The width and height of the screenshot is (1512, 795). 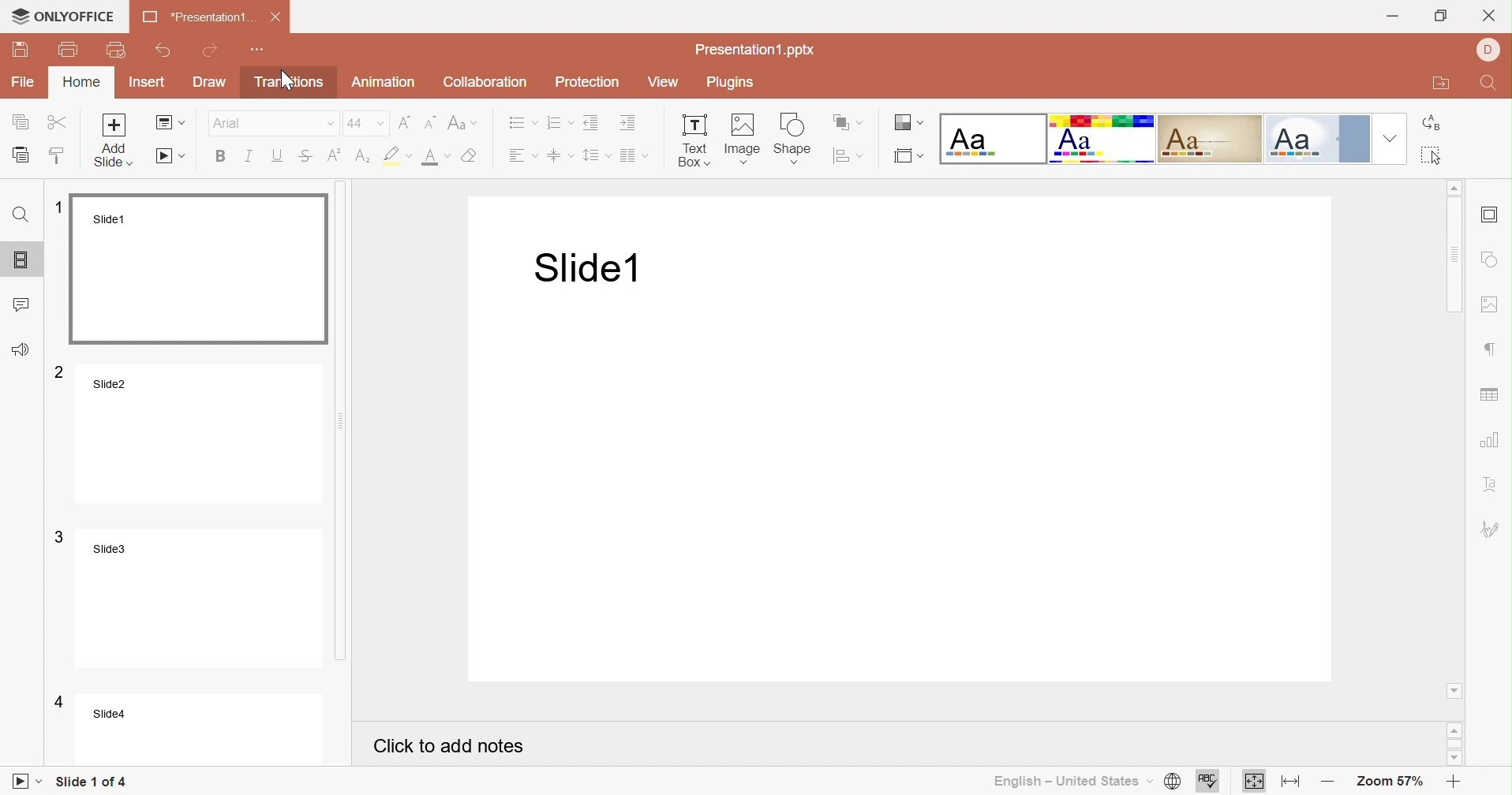 What do you see at coordinates (1456, 760) in the screenshot?
I see `Scroll down` at bounding box center [1456, 760].